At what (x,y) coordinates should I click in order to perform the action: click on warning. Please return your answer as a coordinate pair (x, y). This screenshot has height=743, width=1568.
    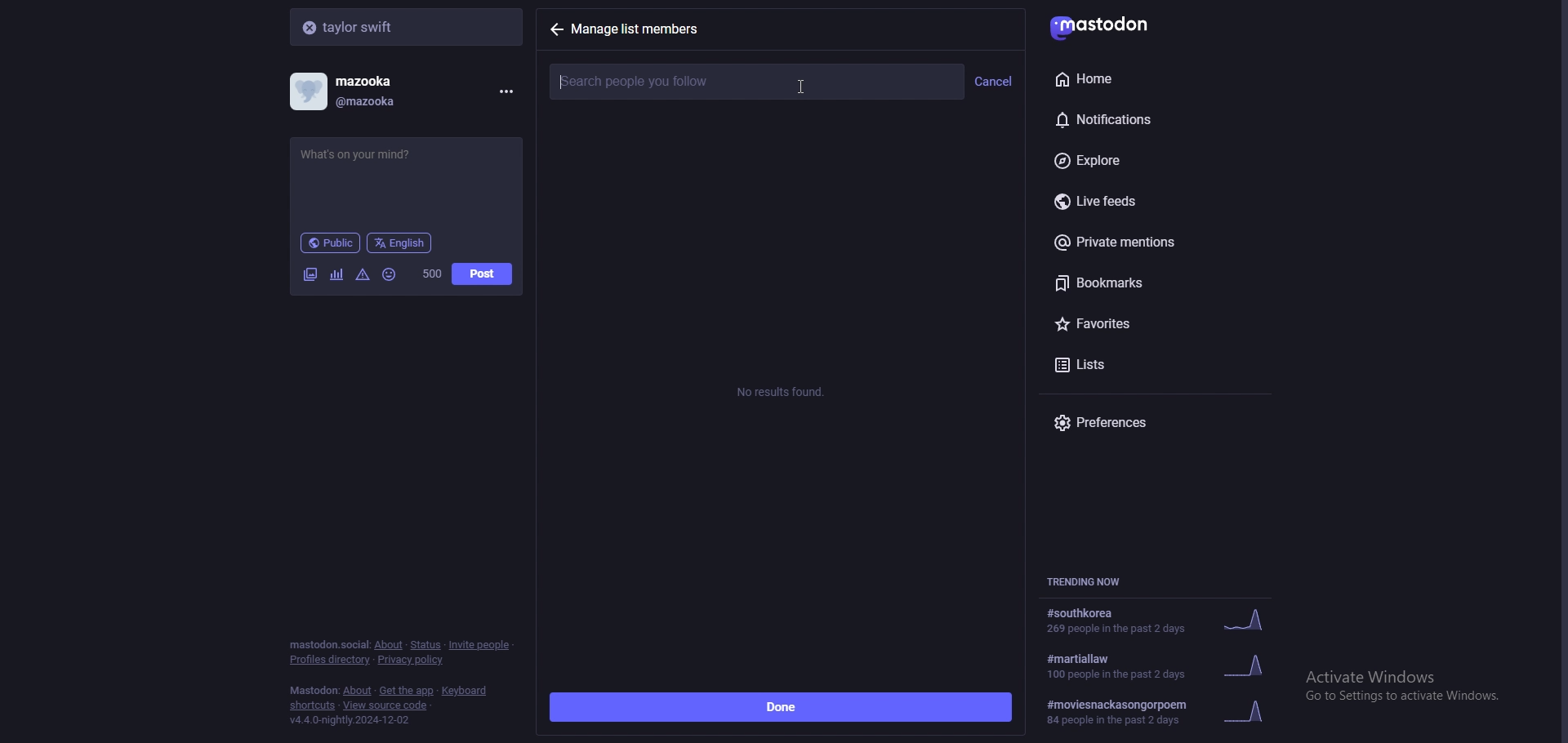
    Looking at the image, I should click on (363, 274).